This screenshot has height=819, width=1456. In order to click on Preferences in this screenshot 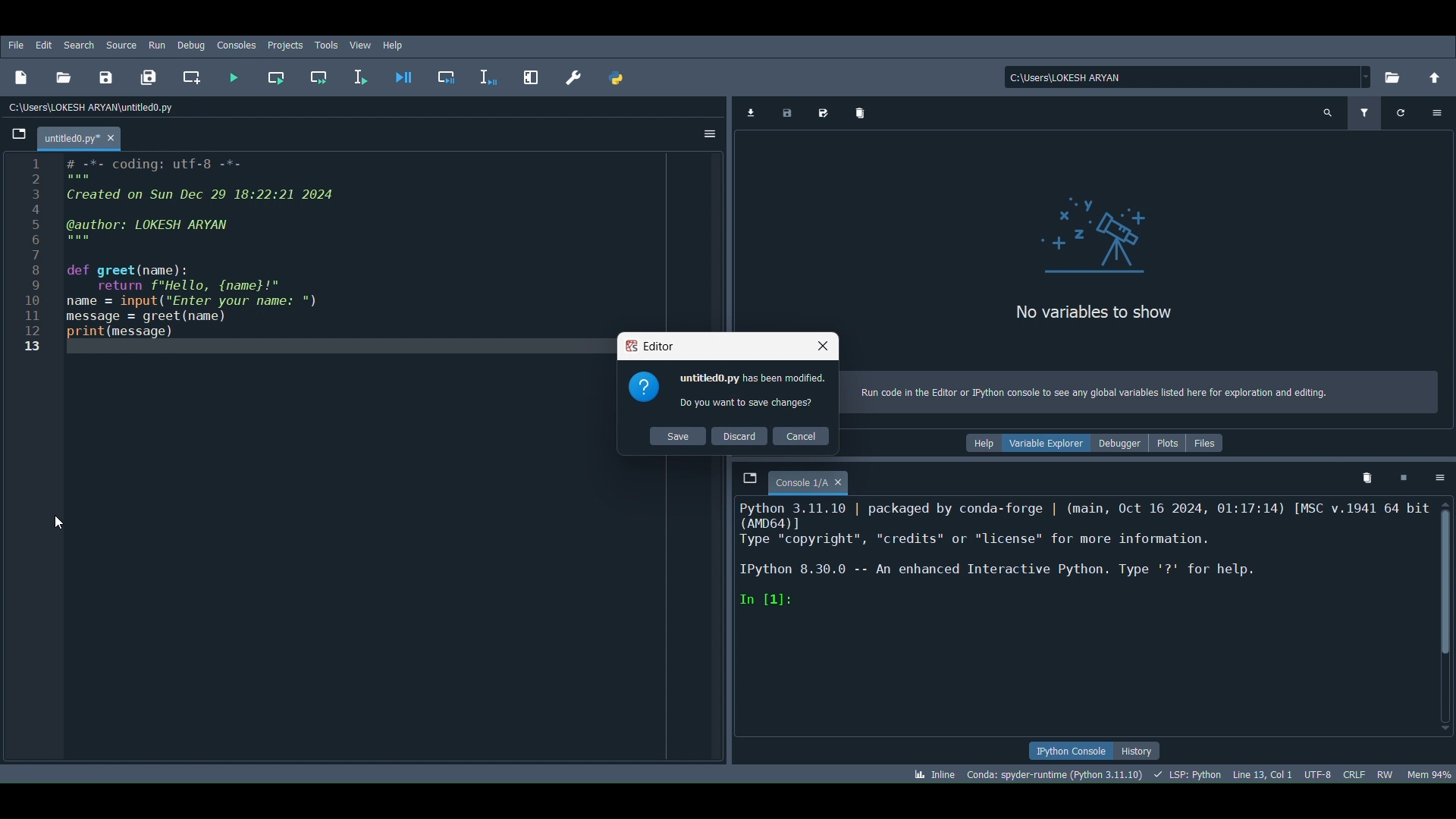, I will do `click(579, 74)`.